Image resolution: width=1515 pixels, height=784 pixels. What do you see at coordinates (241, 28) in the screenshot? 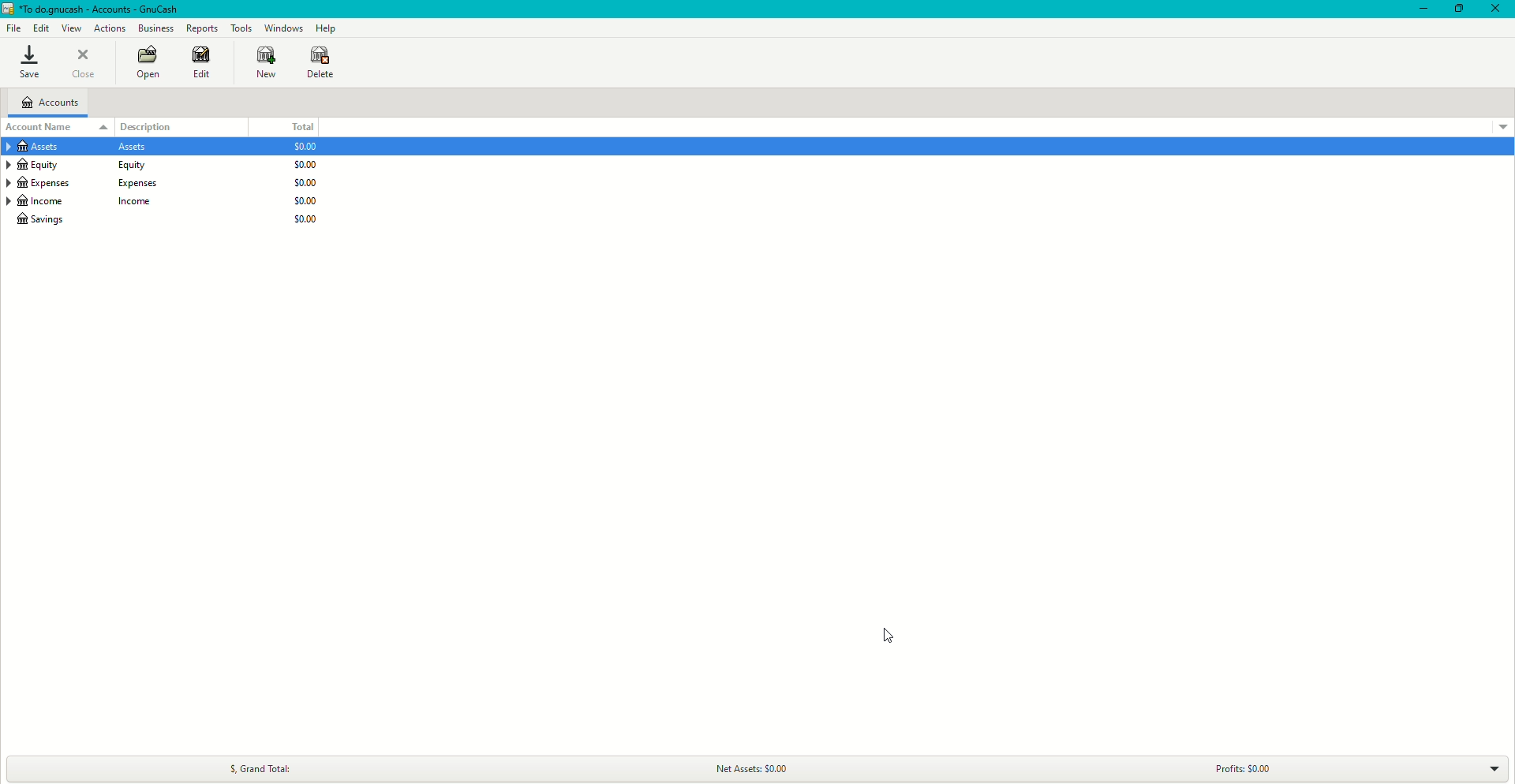
I see `Tools` at bounding box center [241, 28].